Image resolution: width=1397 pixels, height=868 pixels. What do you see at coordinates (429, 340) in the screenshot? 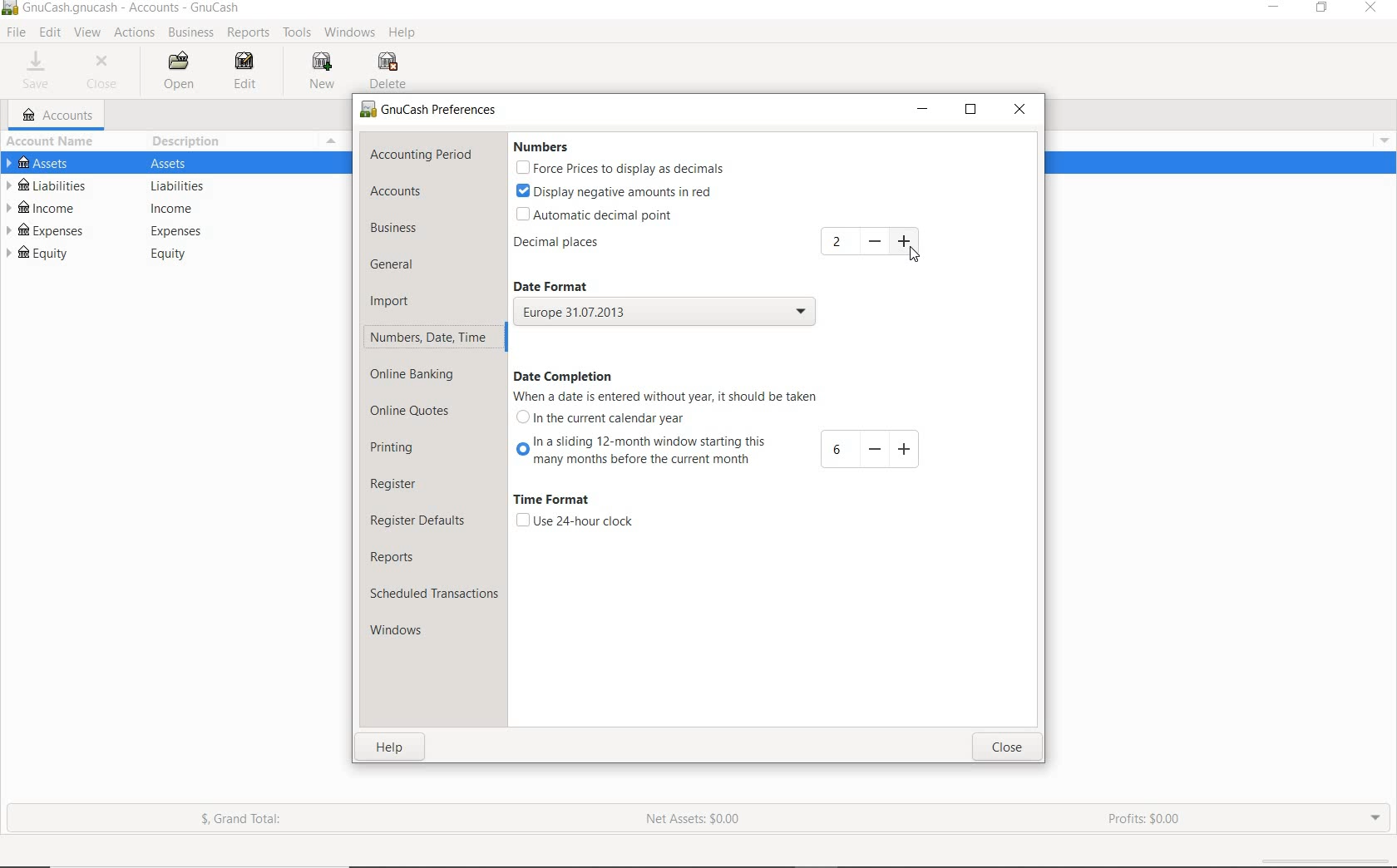
I see `numbers, date, time` at bounding box center [429, 340].